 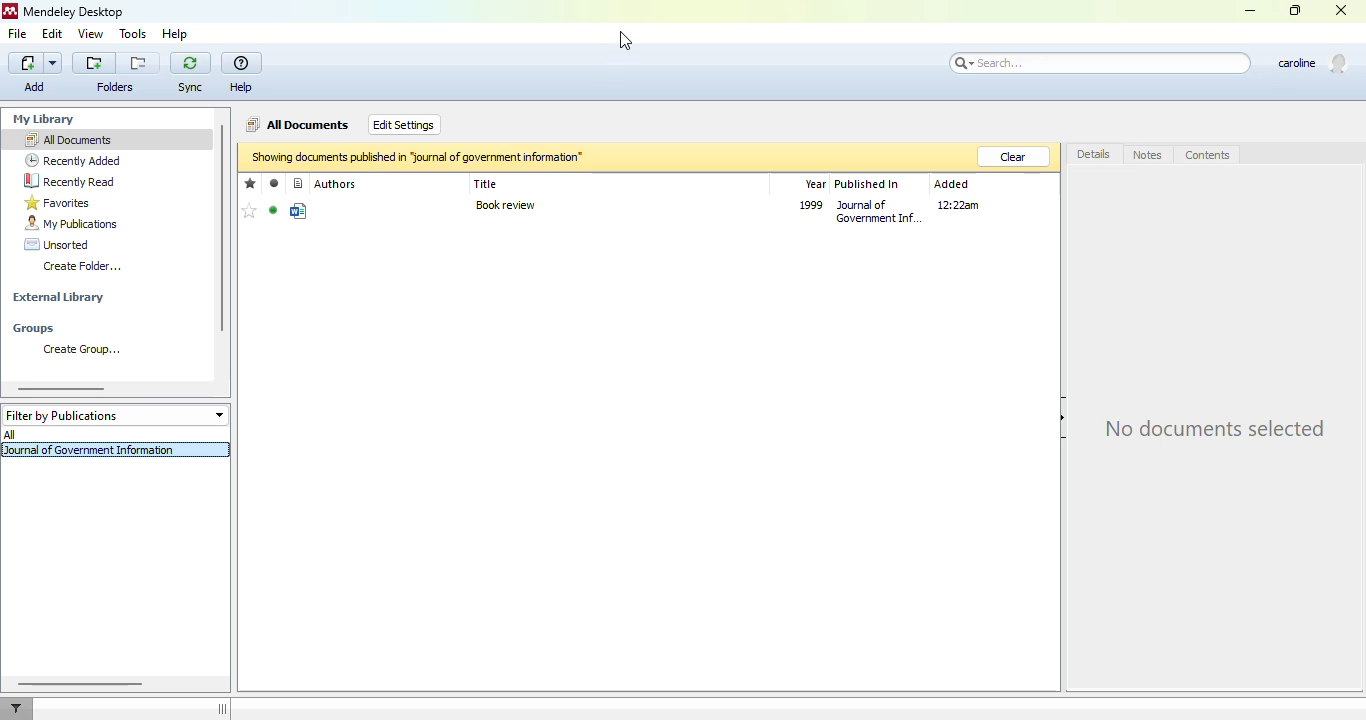 What do you see at coordinates (275, 184) in the screenshot?
I see `read/unread` at bounding box center [275, 184].